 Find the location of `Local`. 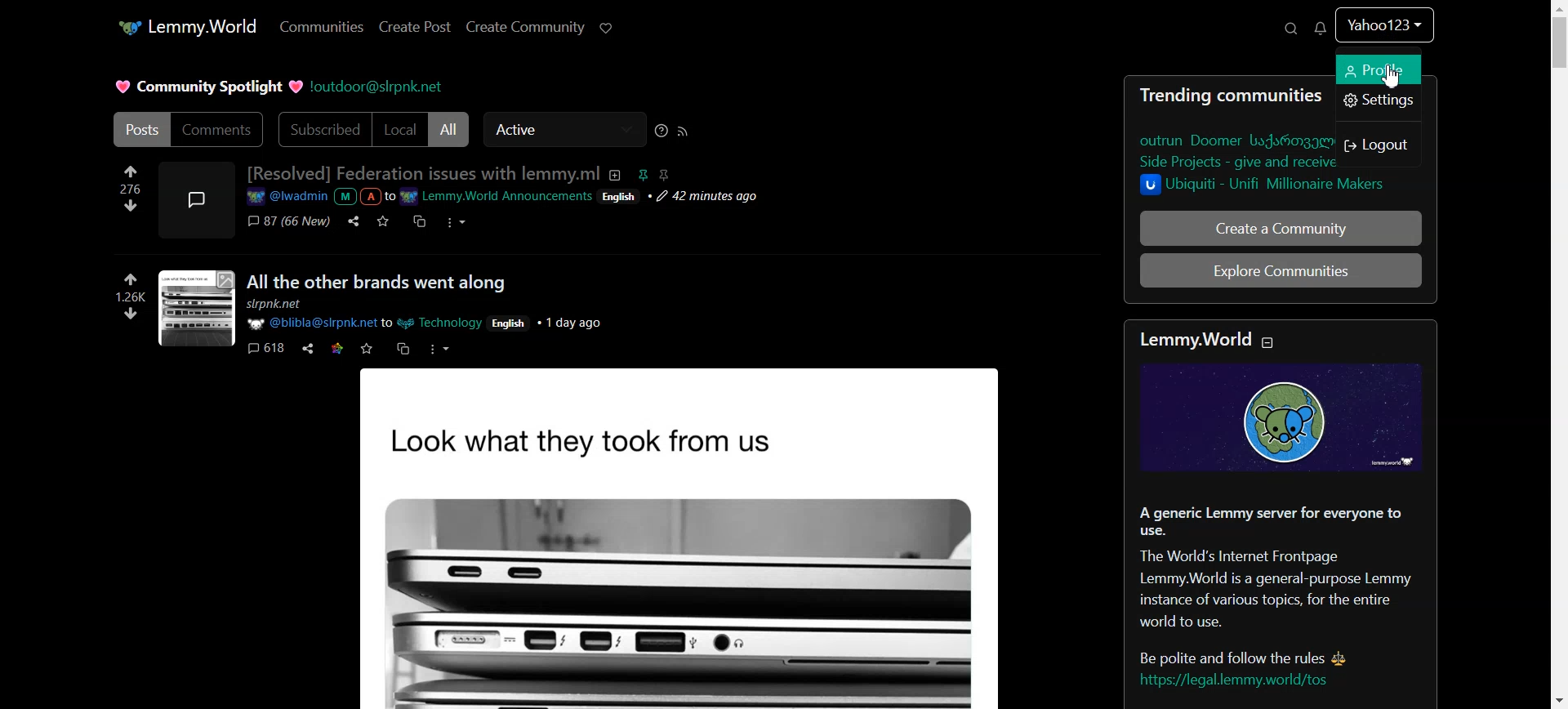

Local is located at coordinates (399, 129).